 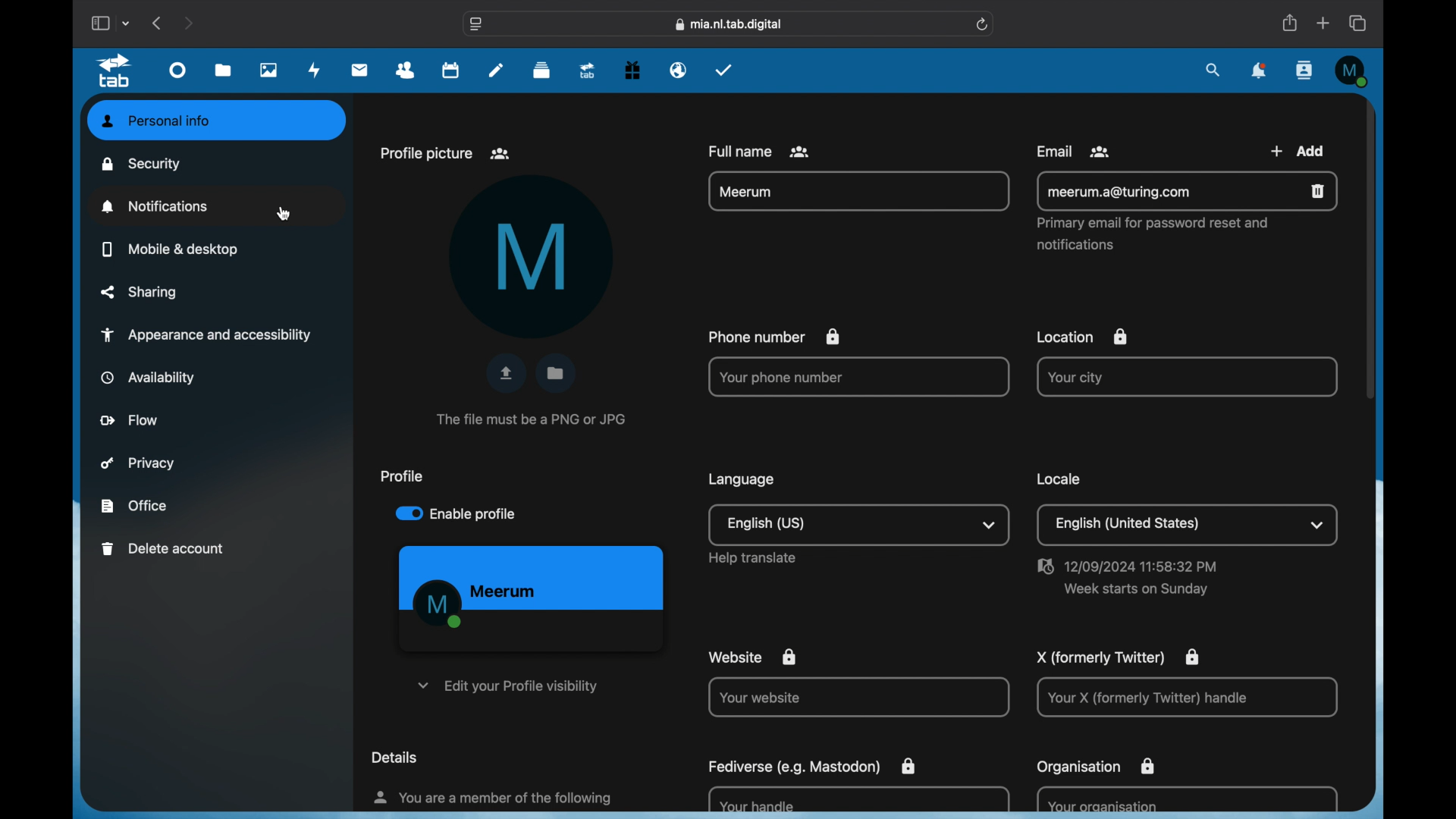 What do you see at coordinates (745, 192) in the screenshot?
I see `name` at bounding box center [745, 192].